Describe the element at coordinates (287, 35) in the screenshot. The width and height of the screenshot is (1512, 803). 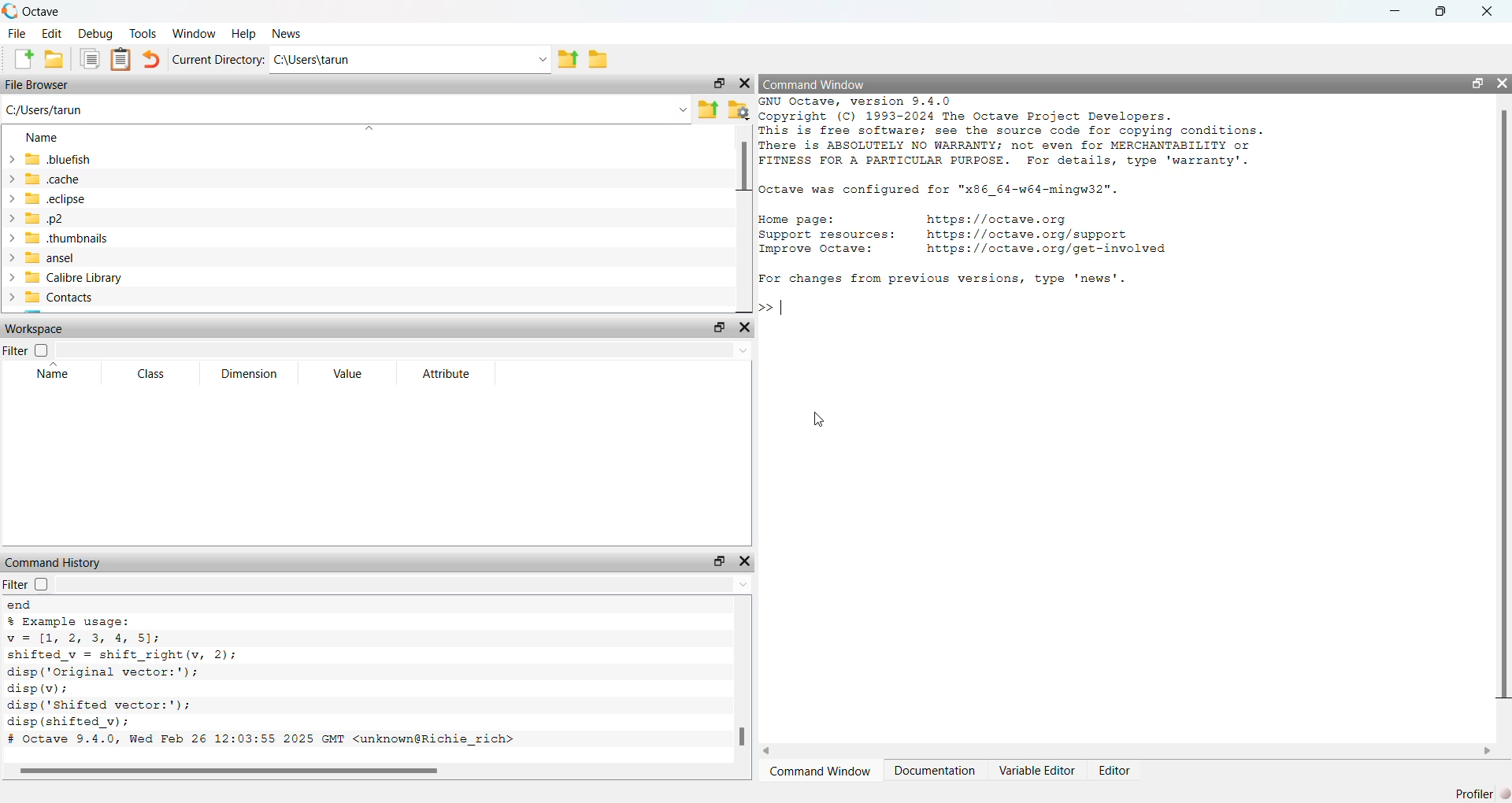
I see `news` at that location.